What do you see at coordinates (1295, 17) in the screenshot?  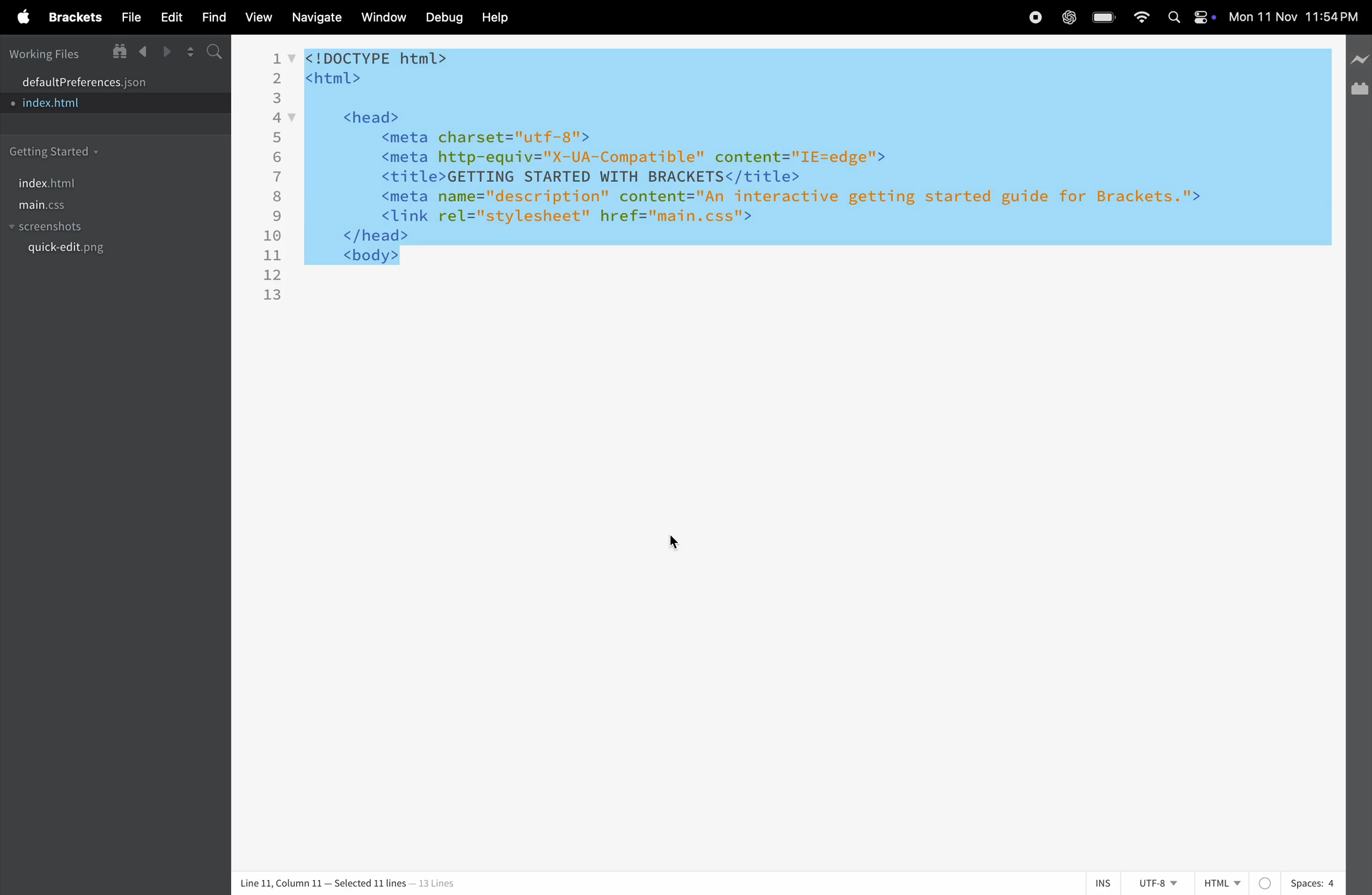 I see `time and date` at bounding box center [1295, 17].